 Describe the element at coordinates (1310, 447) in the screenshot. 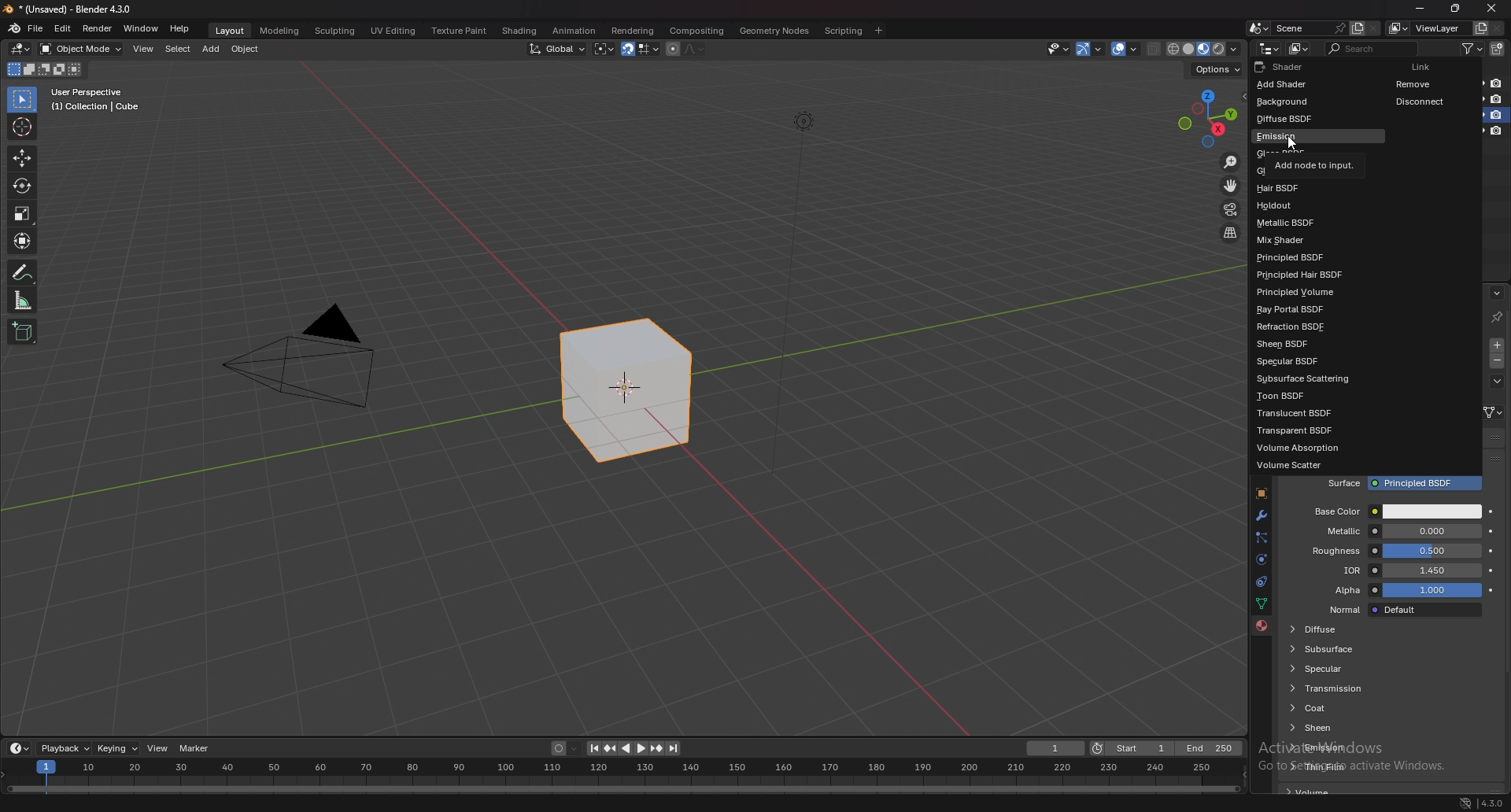

I see `volume absorption` at that location.